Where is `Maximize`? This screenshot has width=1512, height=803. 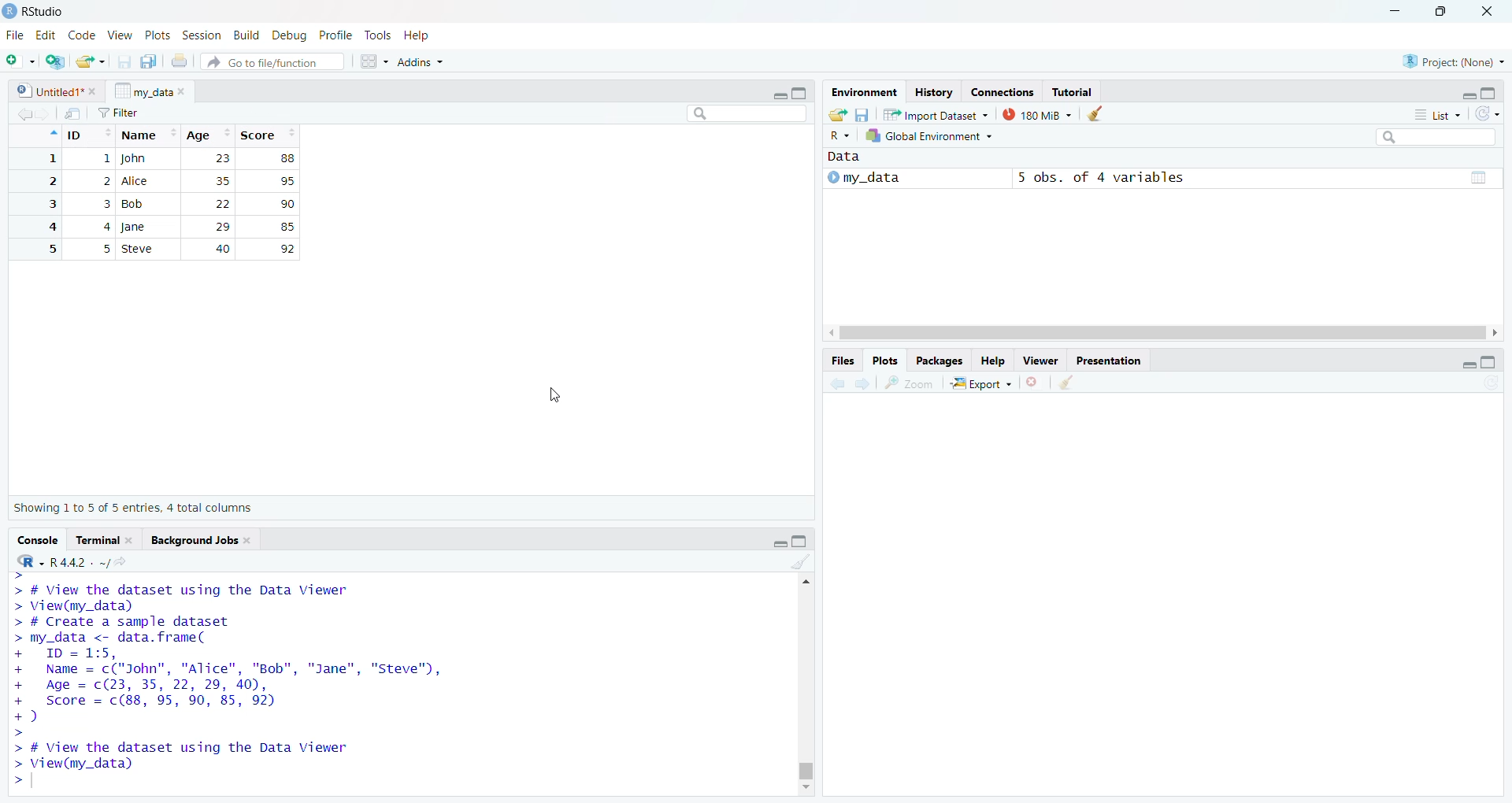 Maximize is located at coordinates (799, 542).